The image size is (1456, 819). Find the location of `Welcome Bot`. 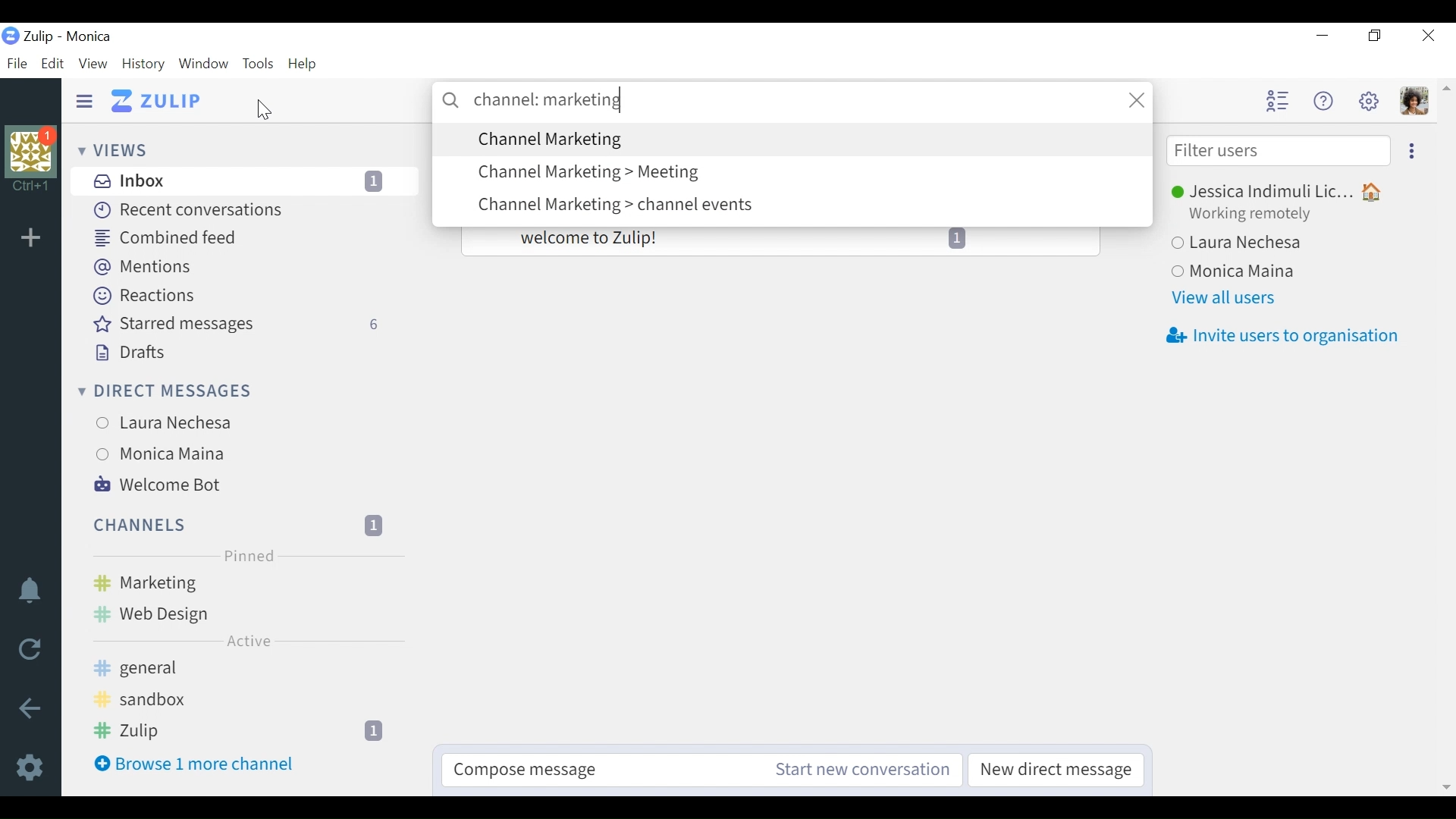

Welcome Bot is located at coordinates (156, 485).